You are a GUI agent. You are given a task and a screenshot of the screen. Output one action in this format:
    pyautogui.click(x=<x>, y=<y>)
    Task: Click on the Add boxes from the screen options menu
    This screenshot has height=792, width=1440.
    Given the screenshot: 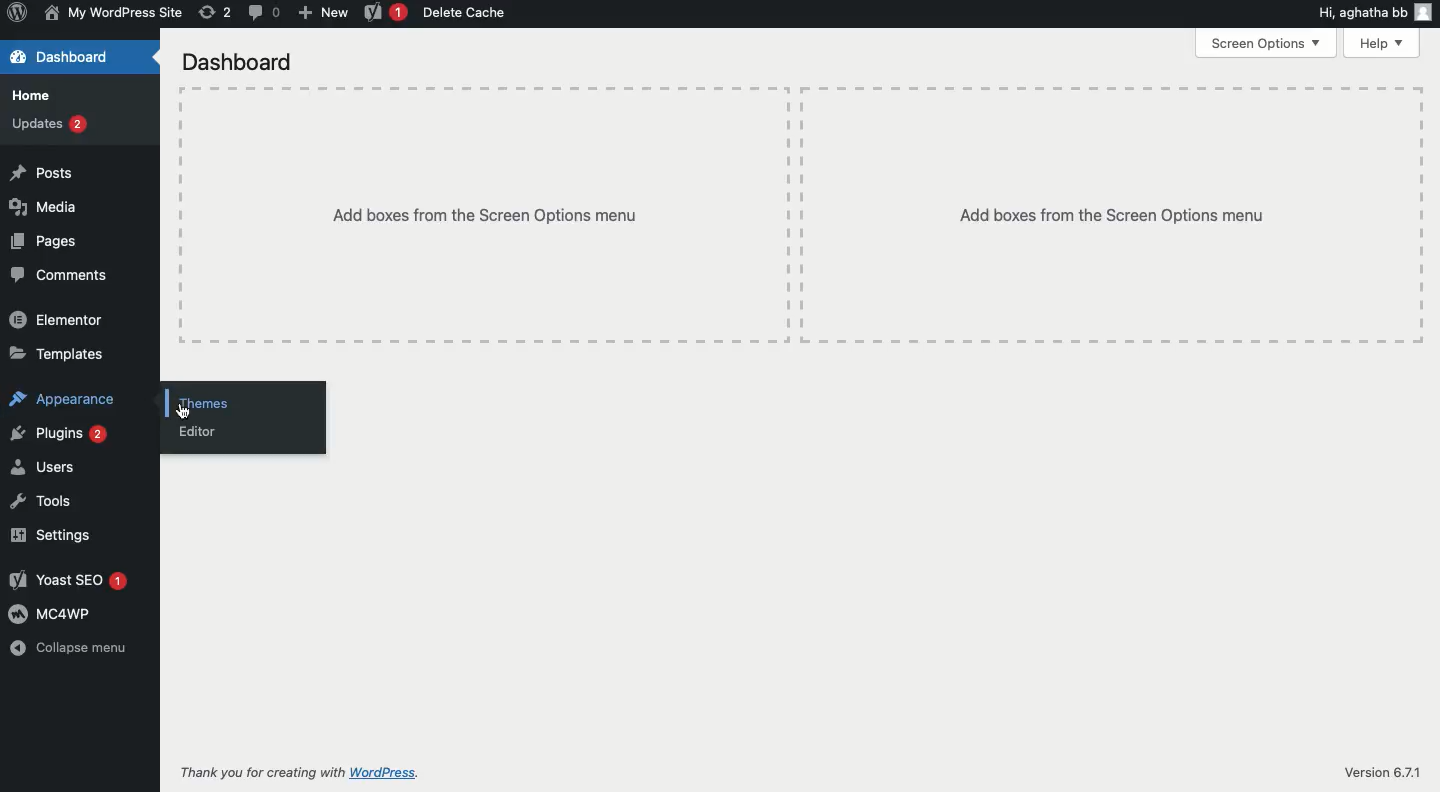 What is the action you would take?
    pyautogui.click(x=802, y=215)
    